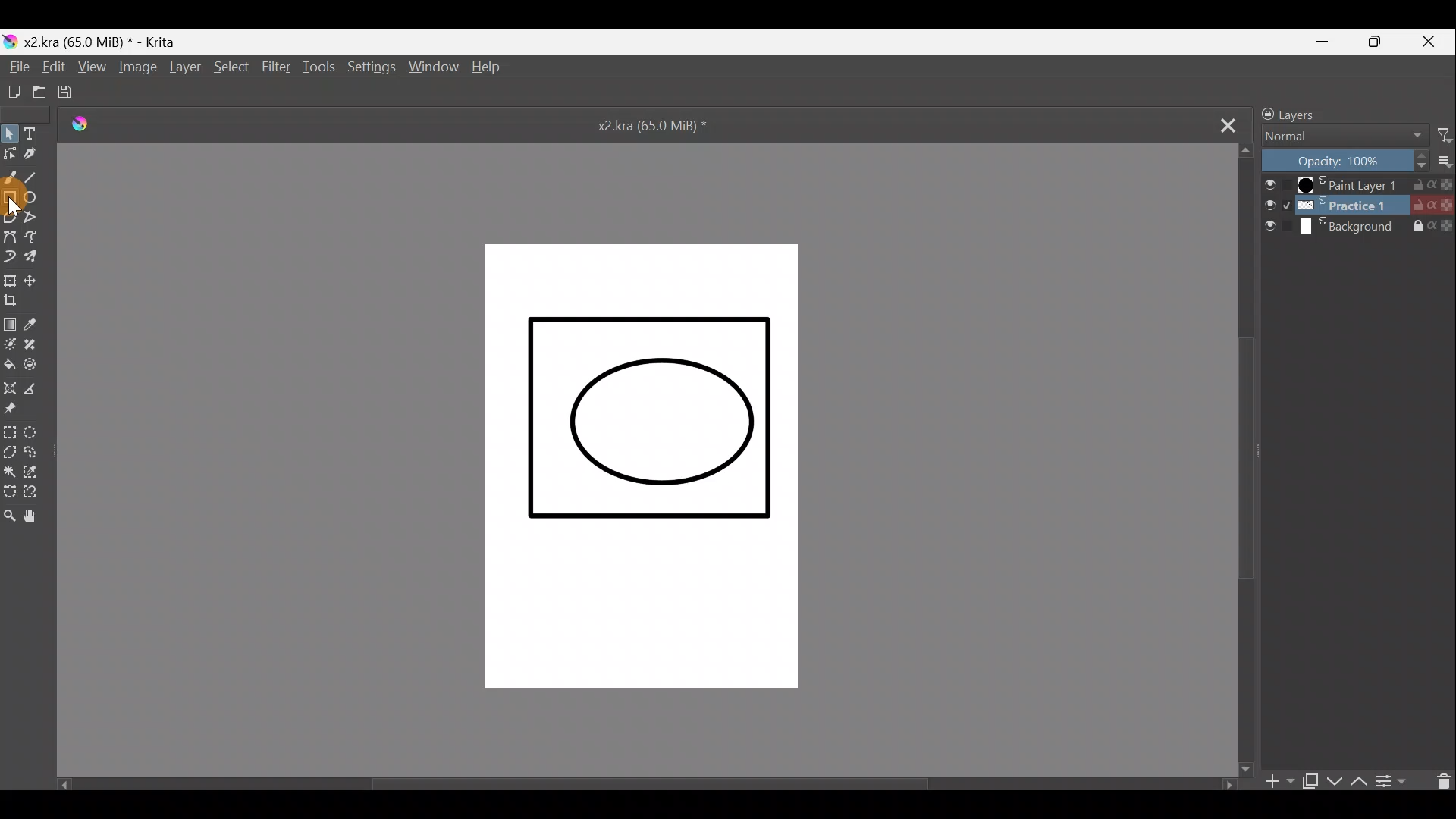  What do you see at coordinates (1360, 227) in the screenshot?
I see `Background` at bounding box center [1360, 227].